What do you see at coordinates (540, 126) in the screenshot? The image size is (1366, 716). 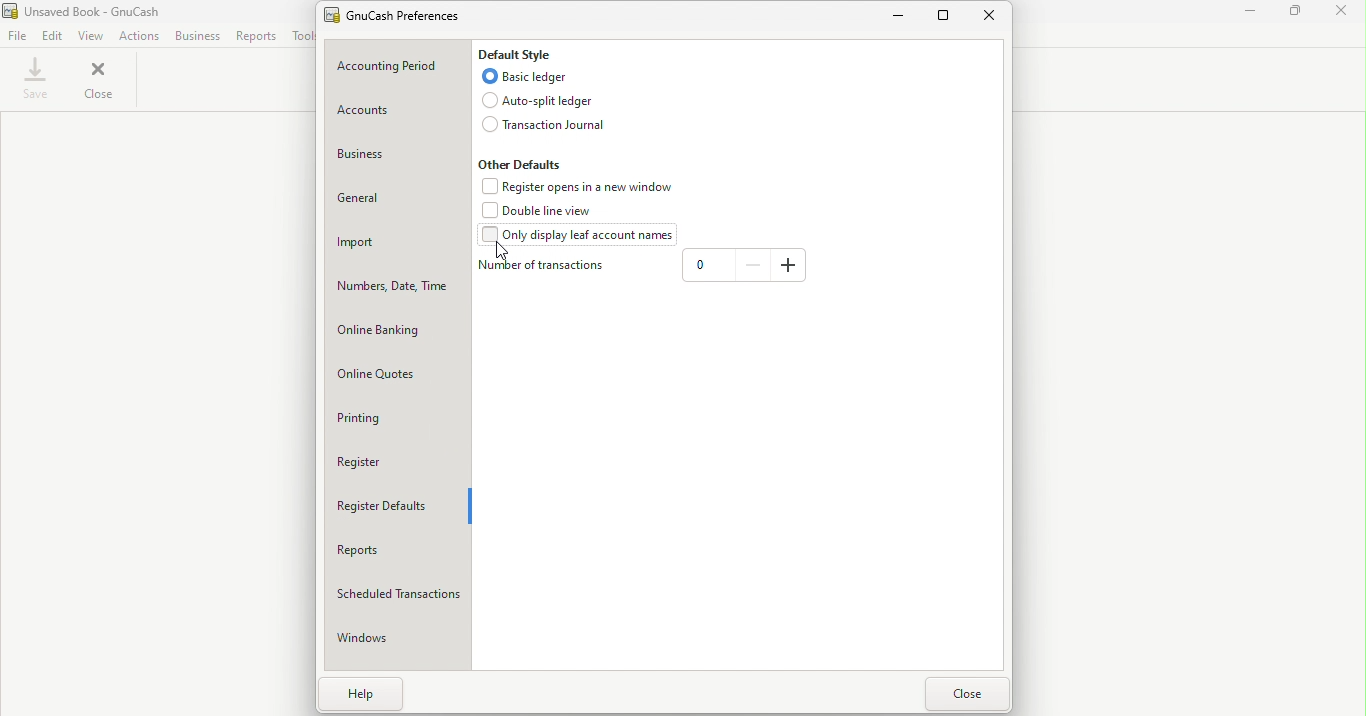 I see `Transaction journal` at bounding box center [540, 126].